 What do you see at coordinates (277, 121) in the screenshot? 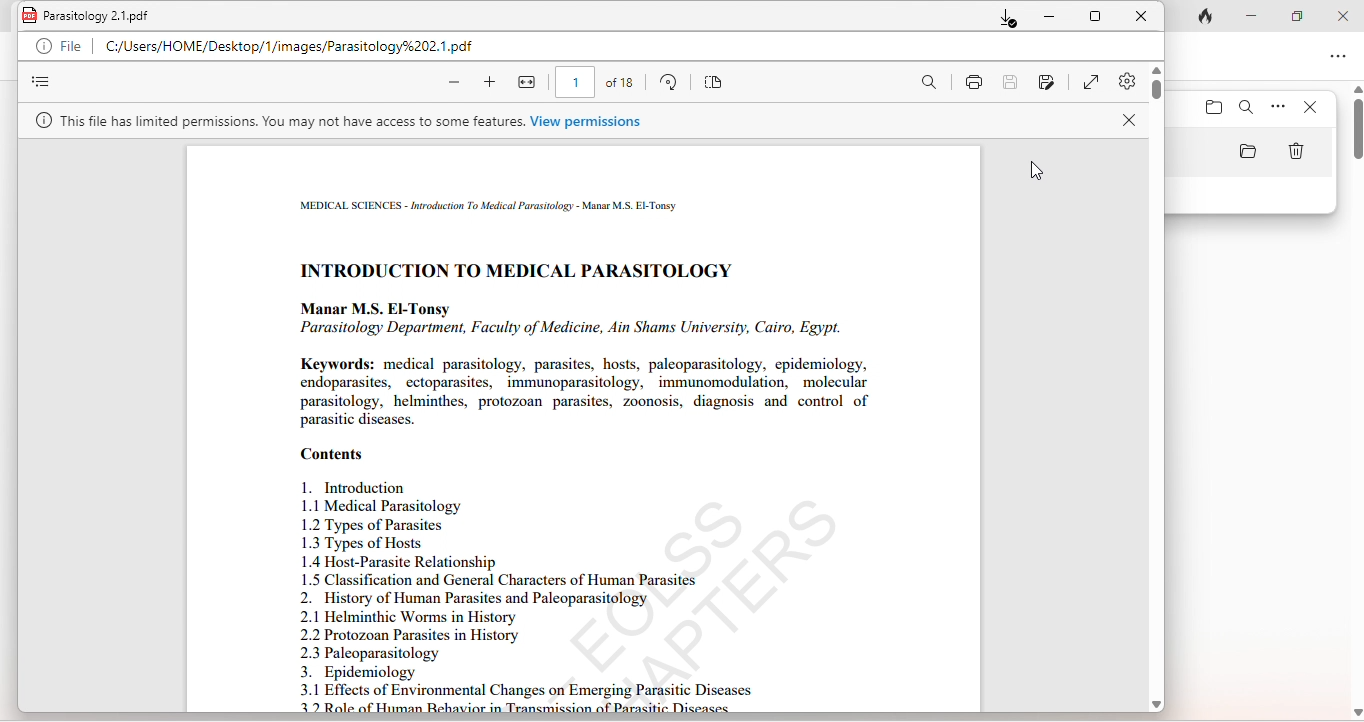
I see `This file has limited permissions. You may not have access to some features.` at bounding box center [277, 121].